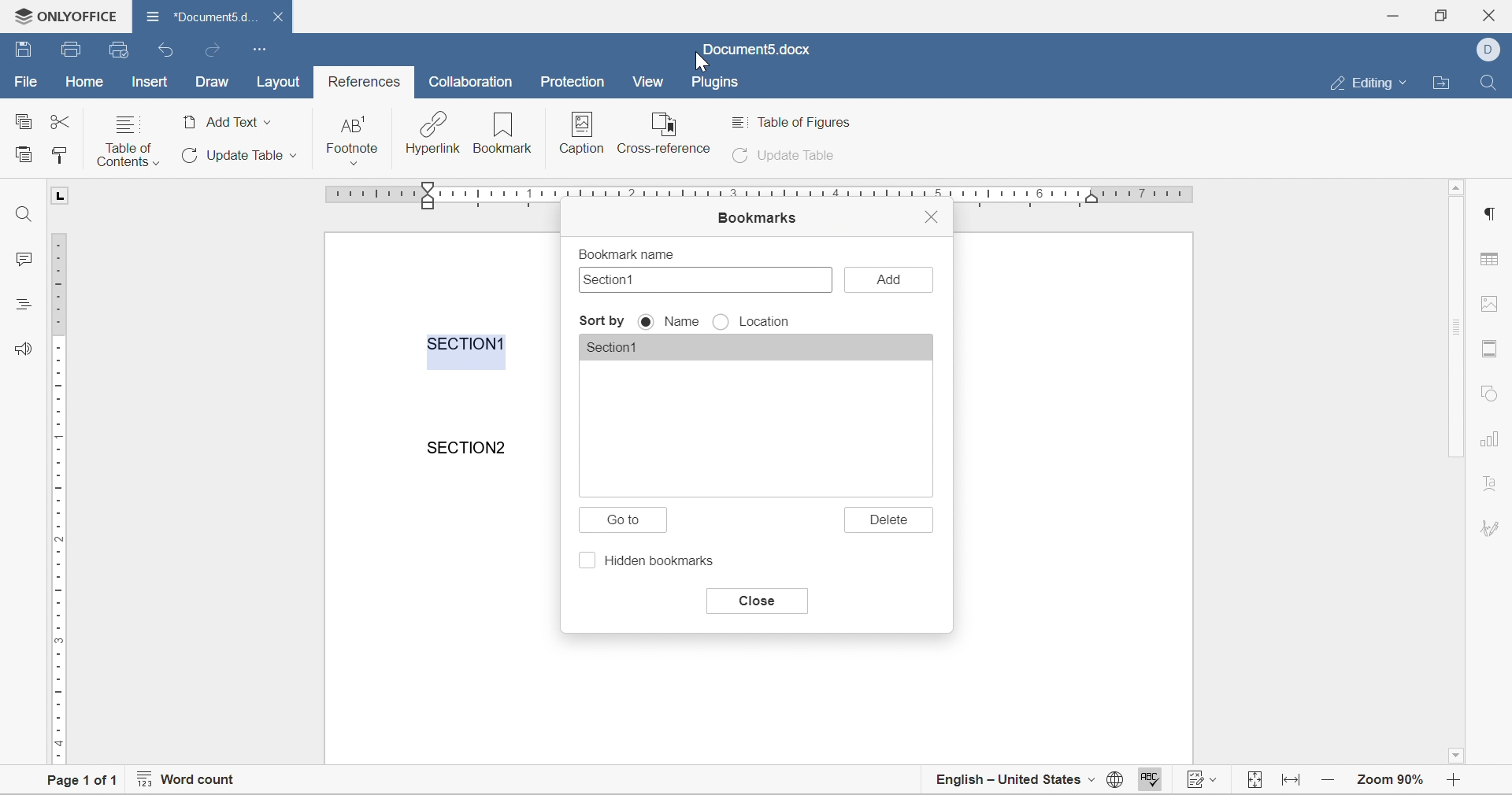 The width and height of the screenshot is (1512, 795). What do you see at coordinates (1492, 441) in the screenshot?
I see `chart settings` at bounding box center [1492, 441].